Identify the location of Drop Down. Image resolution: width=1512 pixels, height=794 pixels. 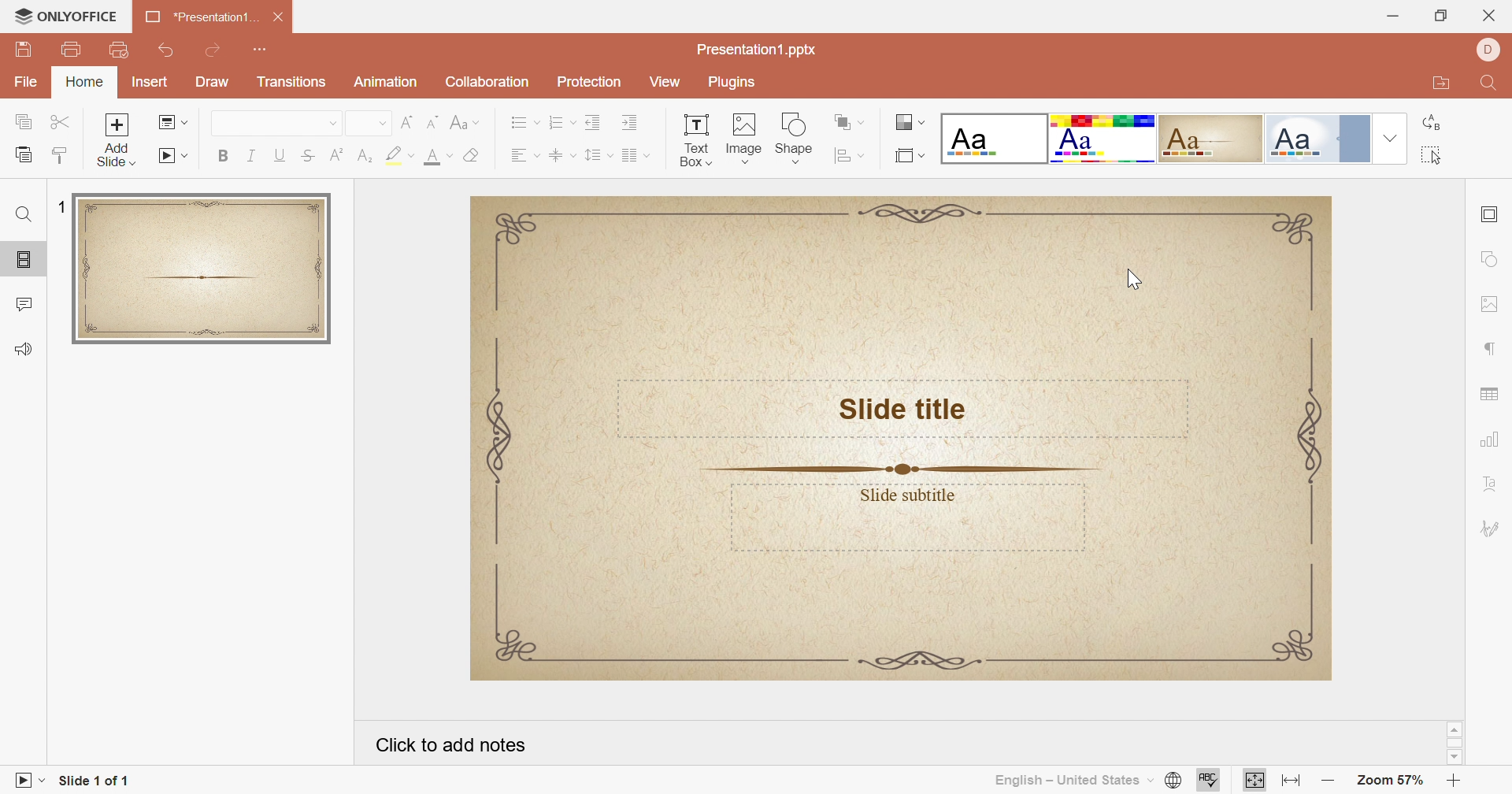
(332, 121).